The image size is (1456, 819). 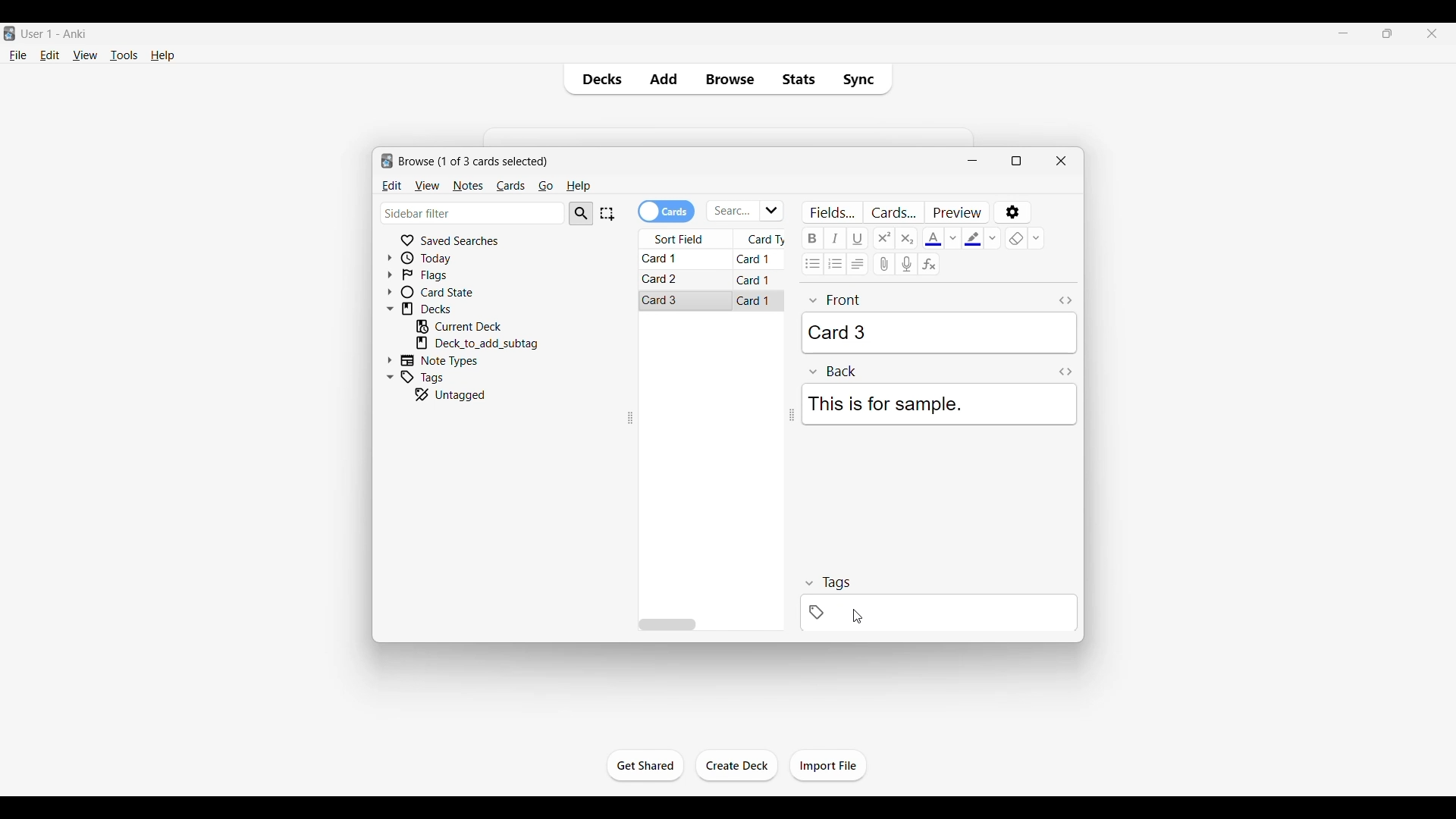 I want to click on Stats, so click(x=797, y=79).